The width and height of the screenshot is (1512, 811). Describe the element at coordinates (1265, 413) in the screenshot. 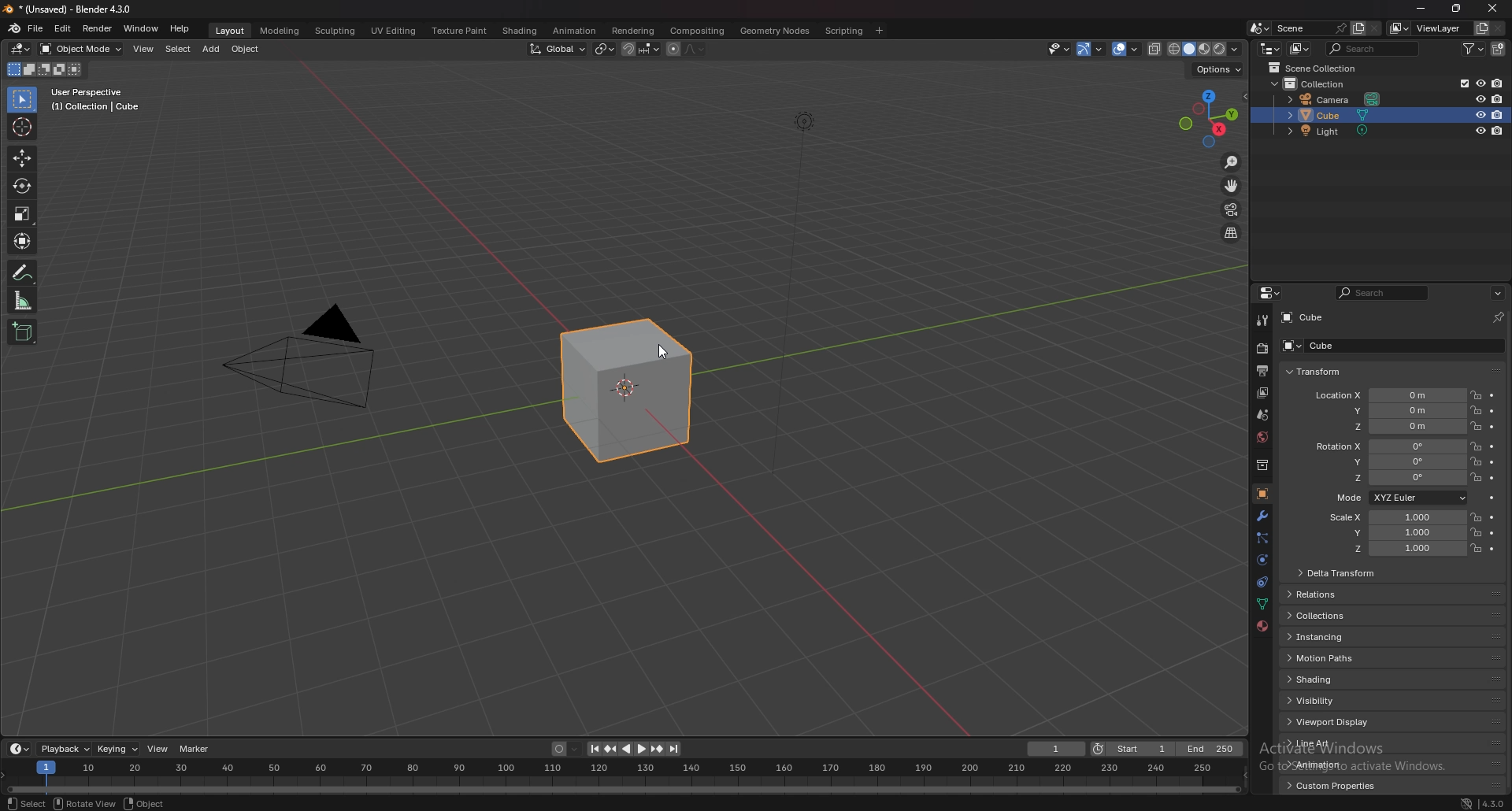

I see `scene` at that location.